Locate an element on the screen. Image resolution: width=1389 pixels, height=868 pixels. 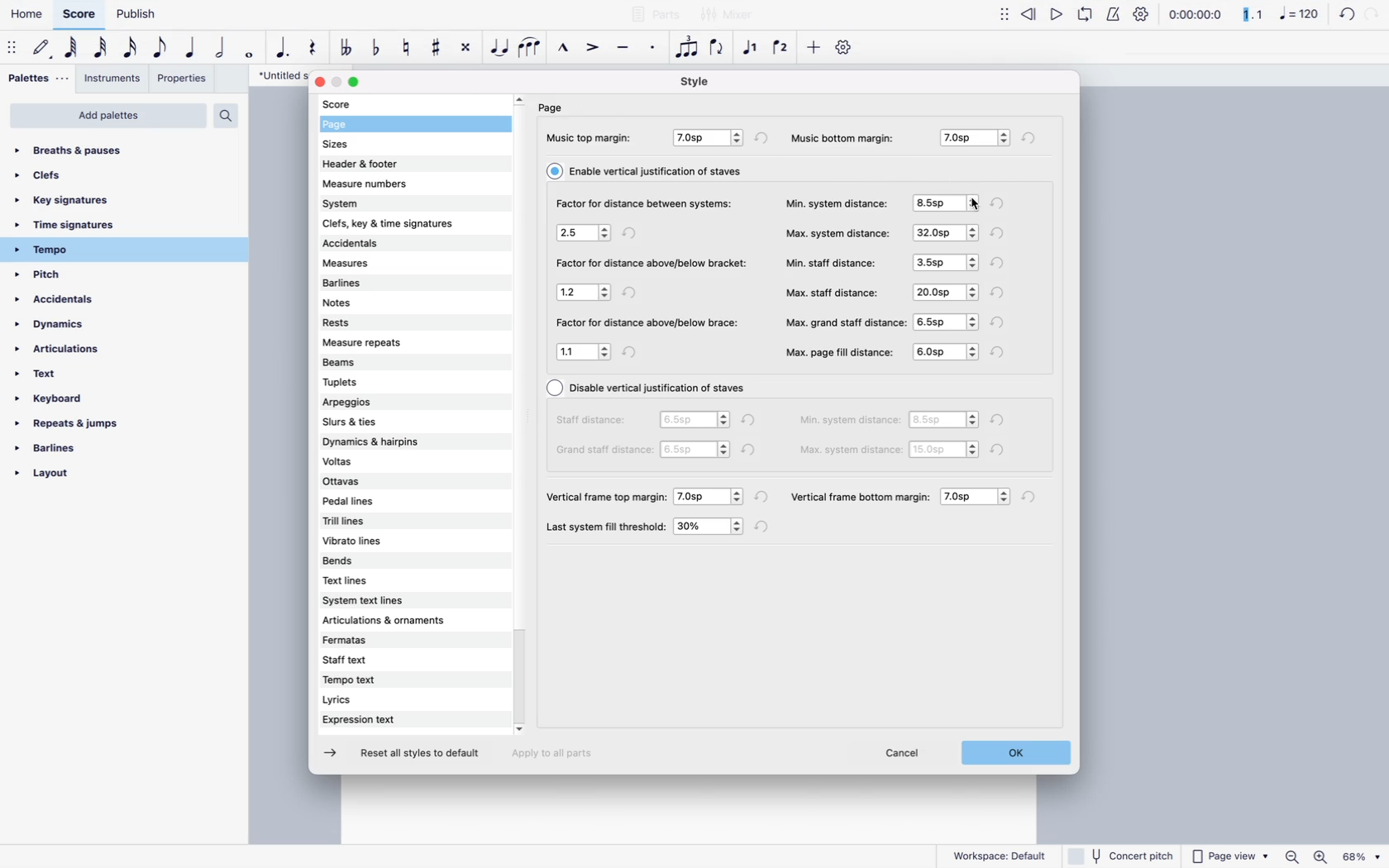
disable vertical justification of staves is located at coordinates (649, 389).